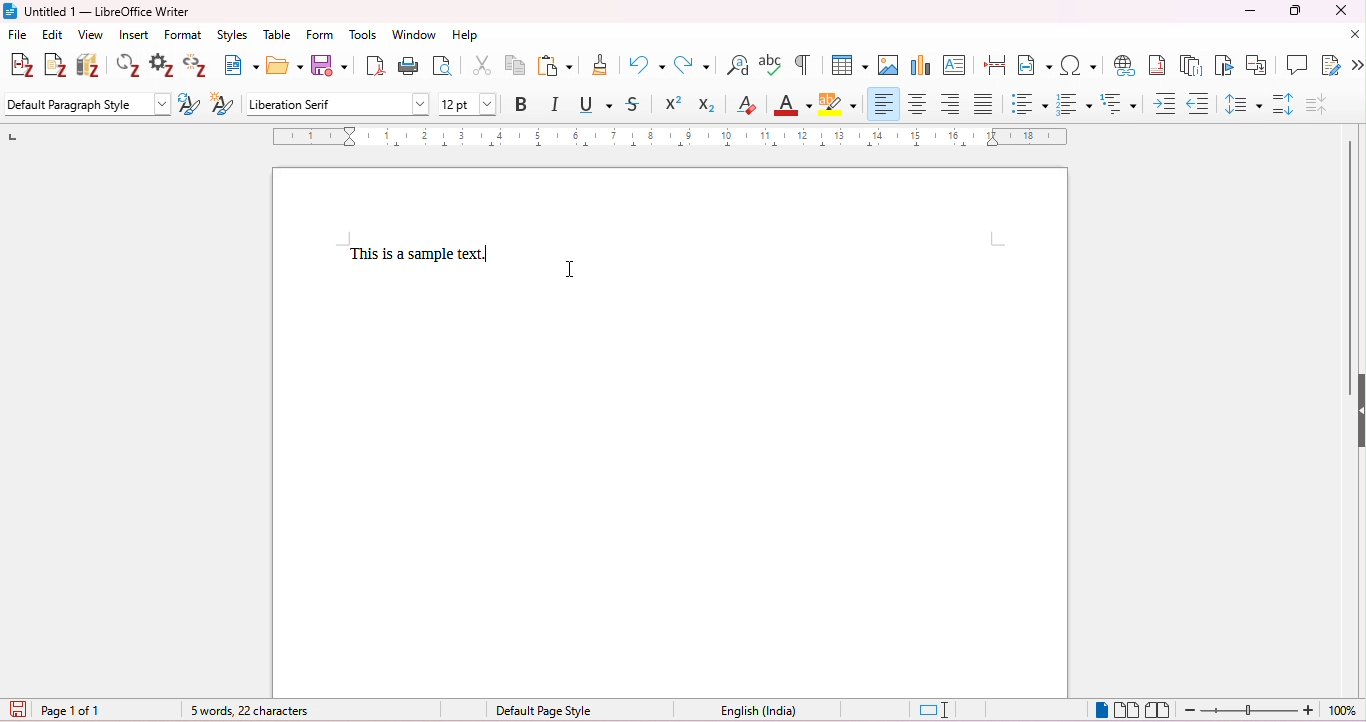 The width and height of the screenshot is (1366, 722). What do you see at coordinates (571, 270) in the screenshot?
I see `cursor` at bounding box center [571, 270].